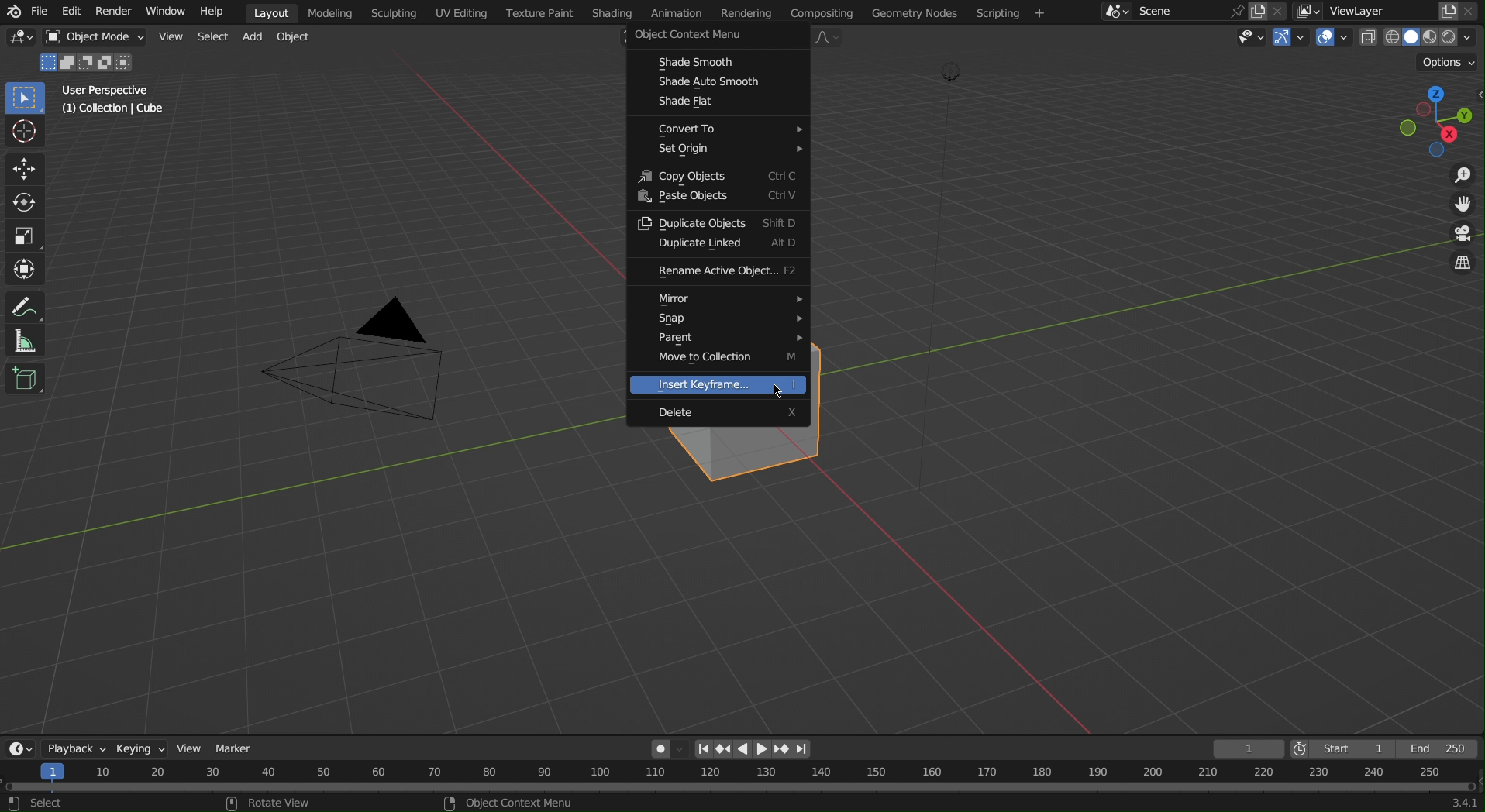 Image resolution: width=1485 pixels, height=812 pixels. Describe the element at coordinates (1177, 12) in the screenshot. I see `Scene` at that location.